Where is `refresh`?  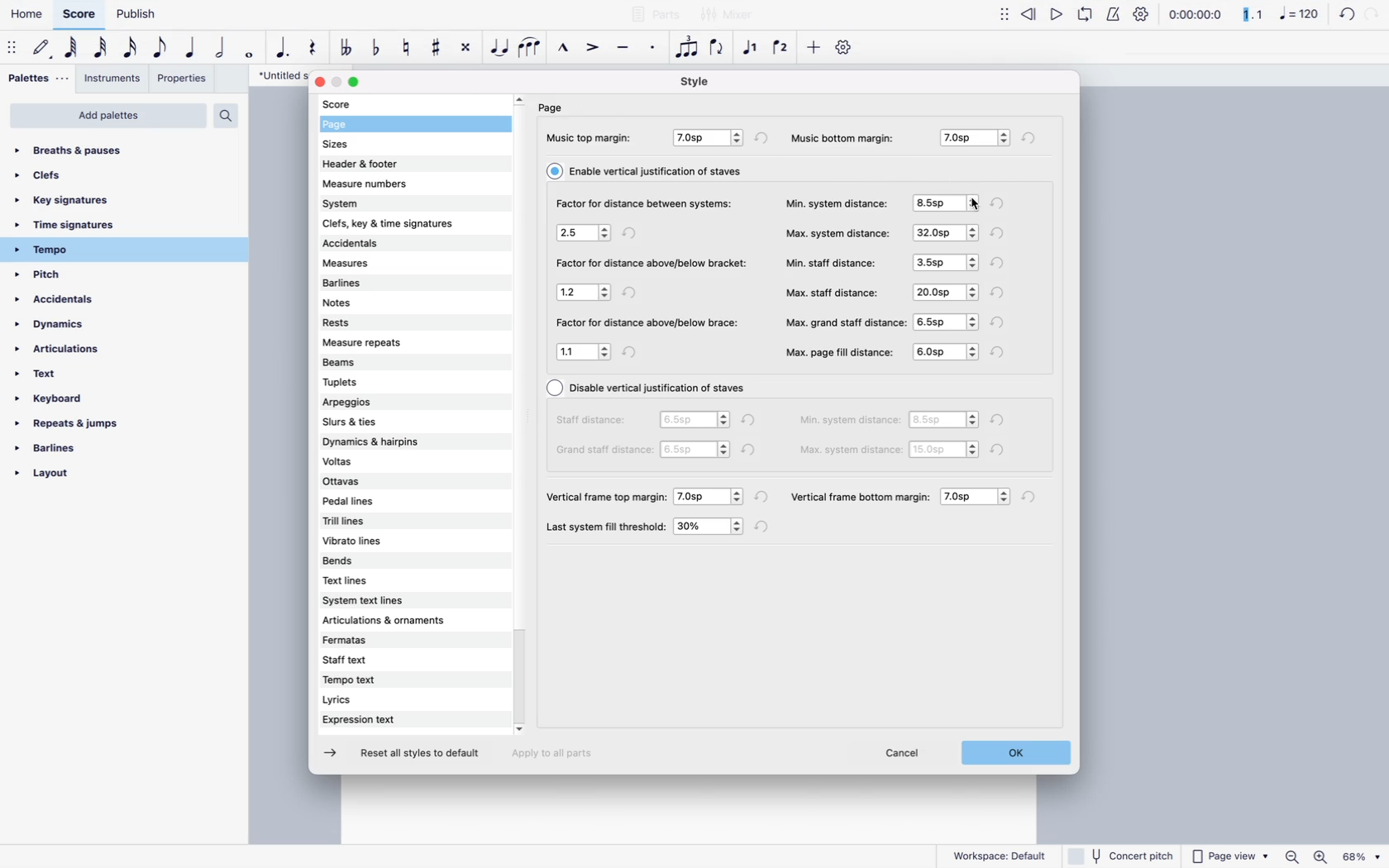
refresh is located at coordinates (1004, 203).